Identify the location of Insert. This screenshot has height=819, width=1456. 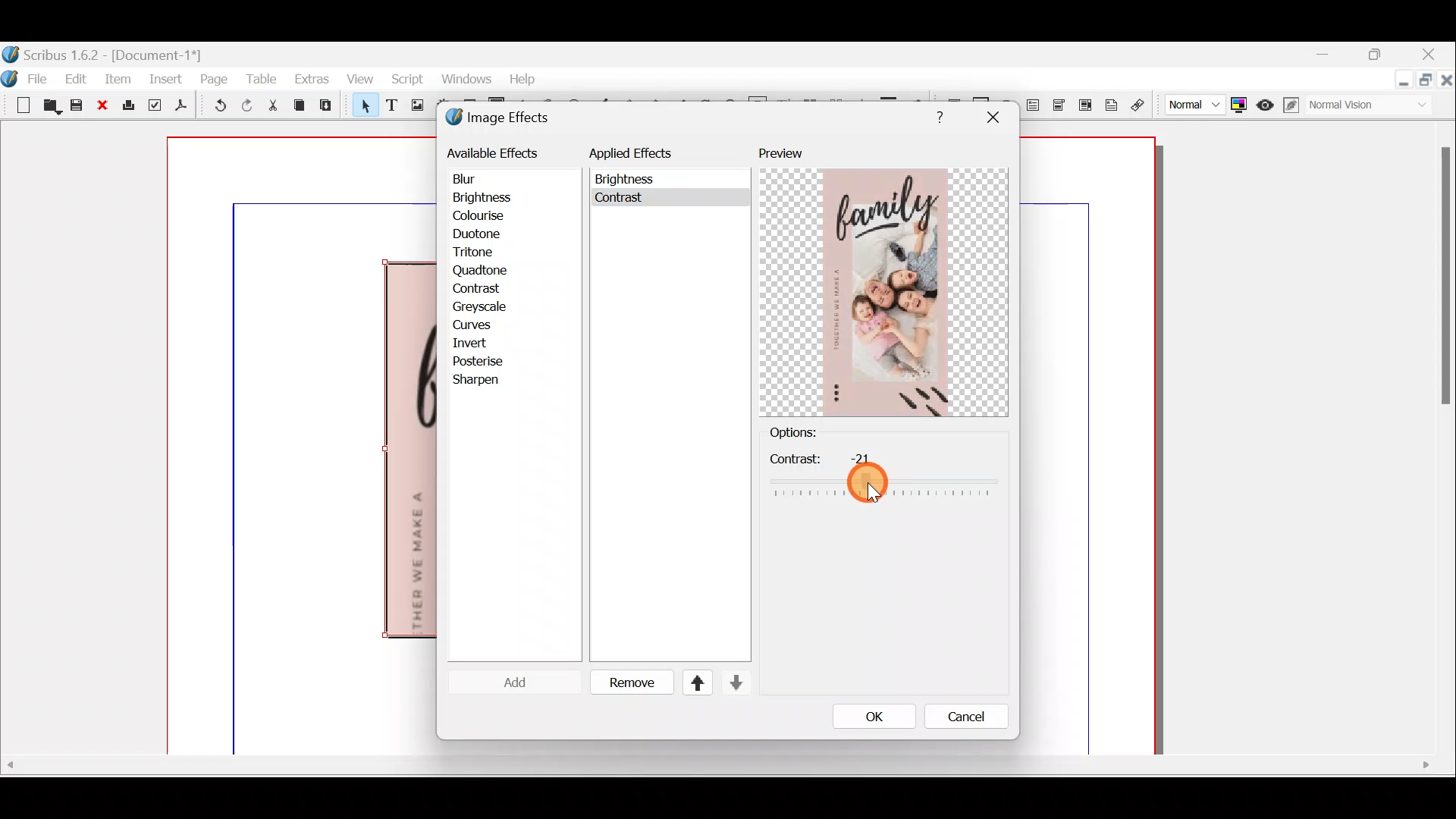
(167, 78).